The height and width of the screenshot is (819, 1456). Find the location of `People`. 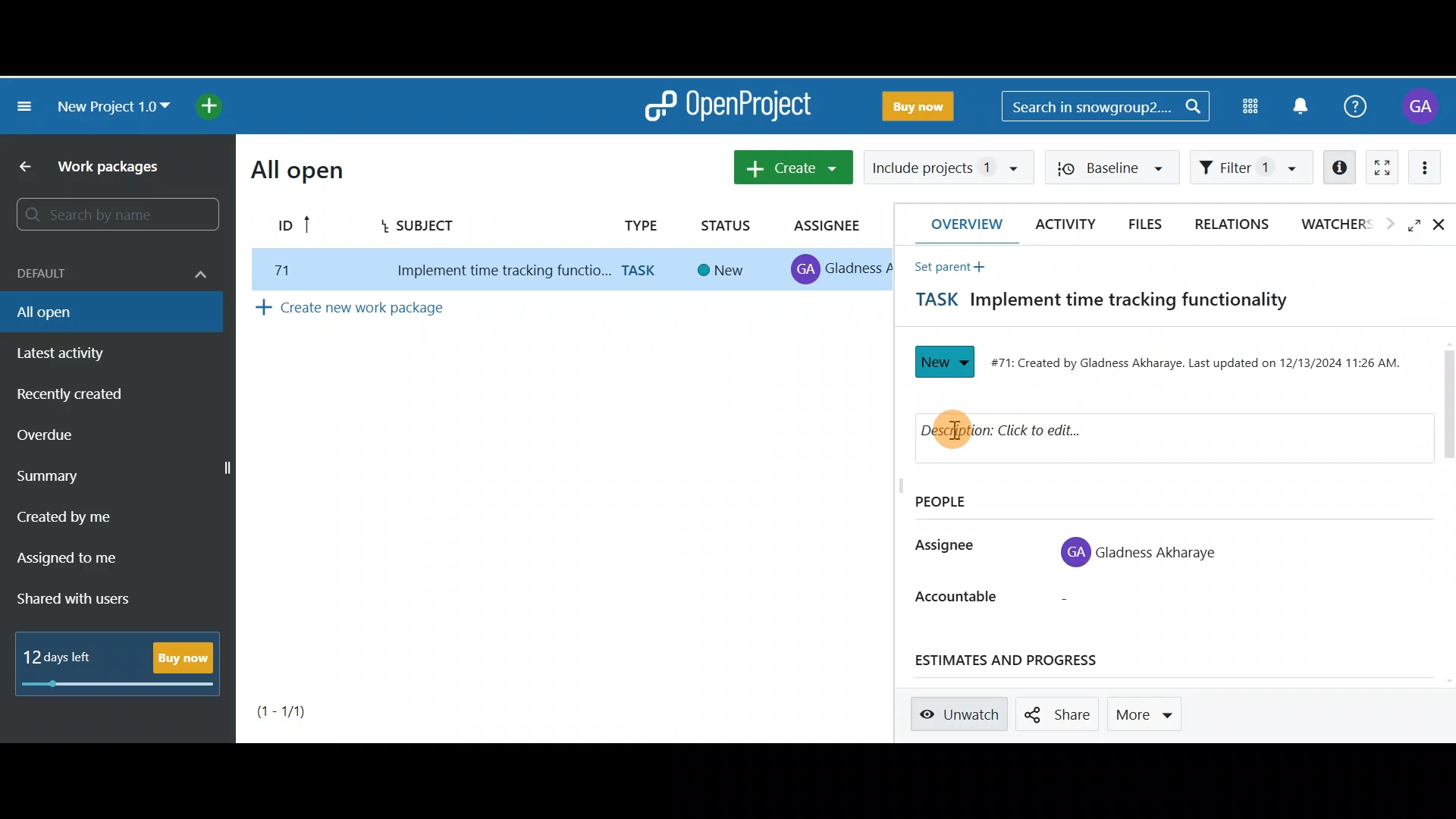

People is located at coordinates (959, 503).